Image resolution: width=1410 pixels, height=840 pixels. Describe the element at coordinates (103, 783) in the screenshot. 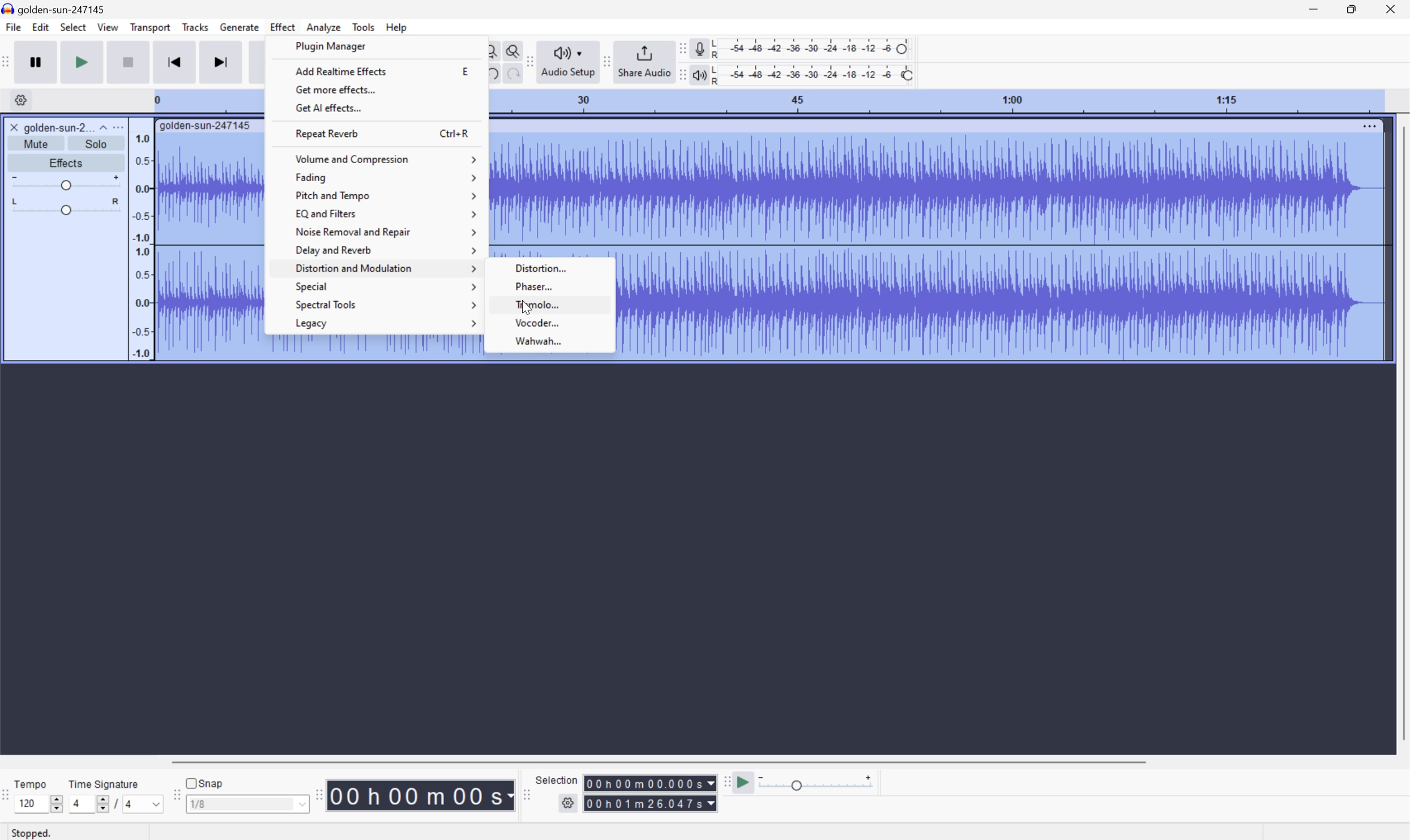

I see `Time signature` at that location.